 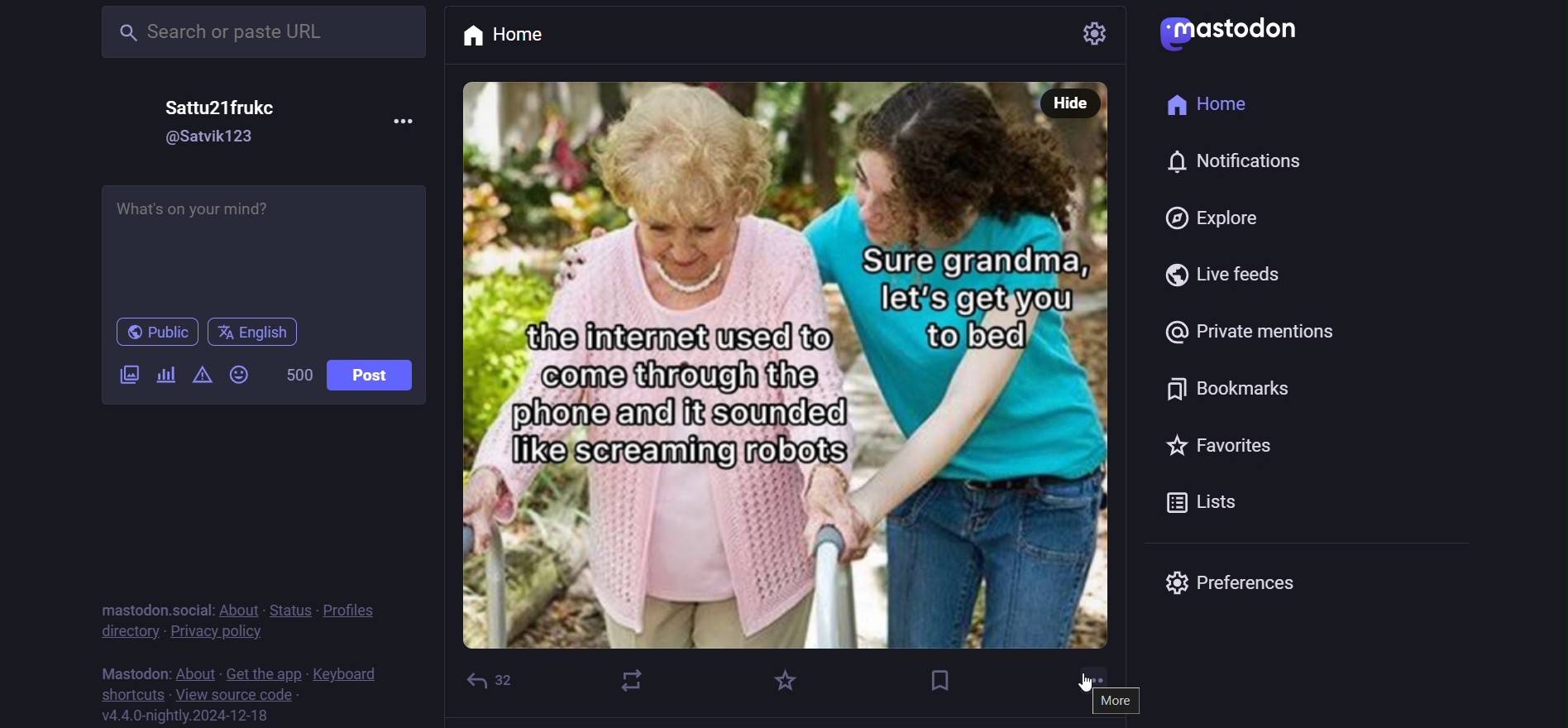 I want to click on word limit, so click(x=298, y=374).